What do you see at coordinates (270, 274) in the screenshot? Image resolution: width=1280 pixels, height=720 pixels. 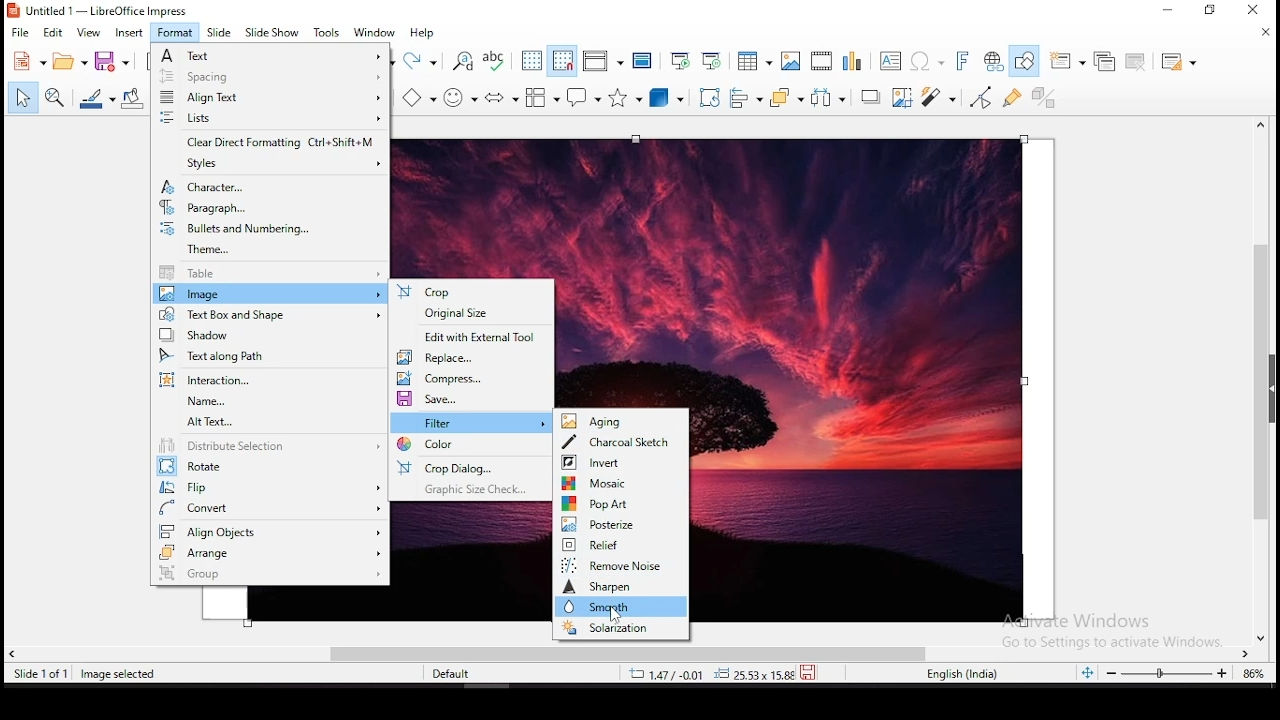 I see `table` at bounding box center [270, 274].